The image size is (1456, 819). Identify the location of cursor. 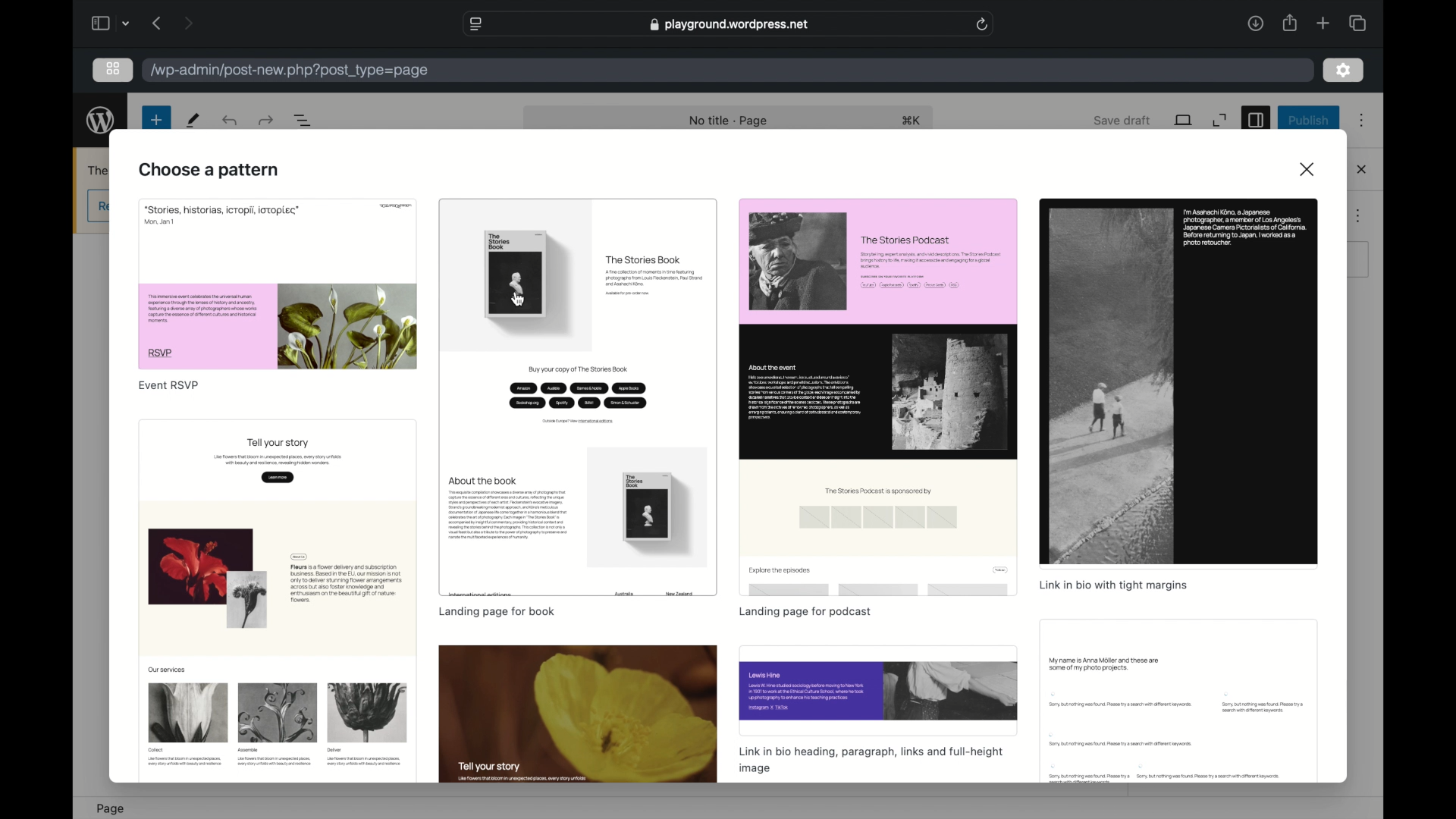
(519, 298).